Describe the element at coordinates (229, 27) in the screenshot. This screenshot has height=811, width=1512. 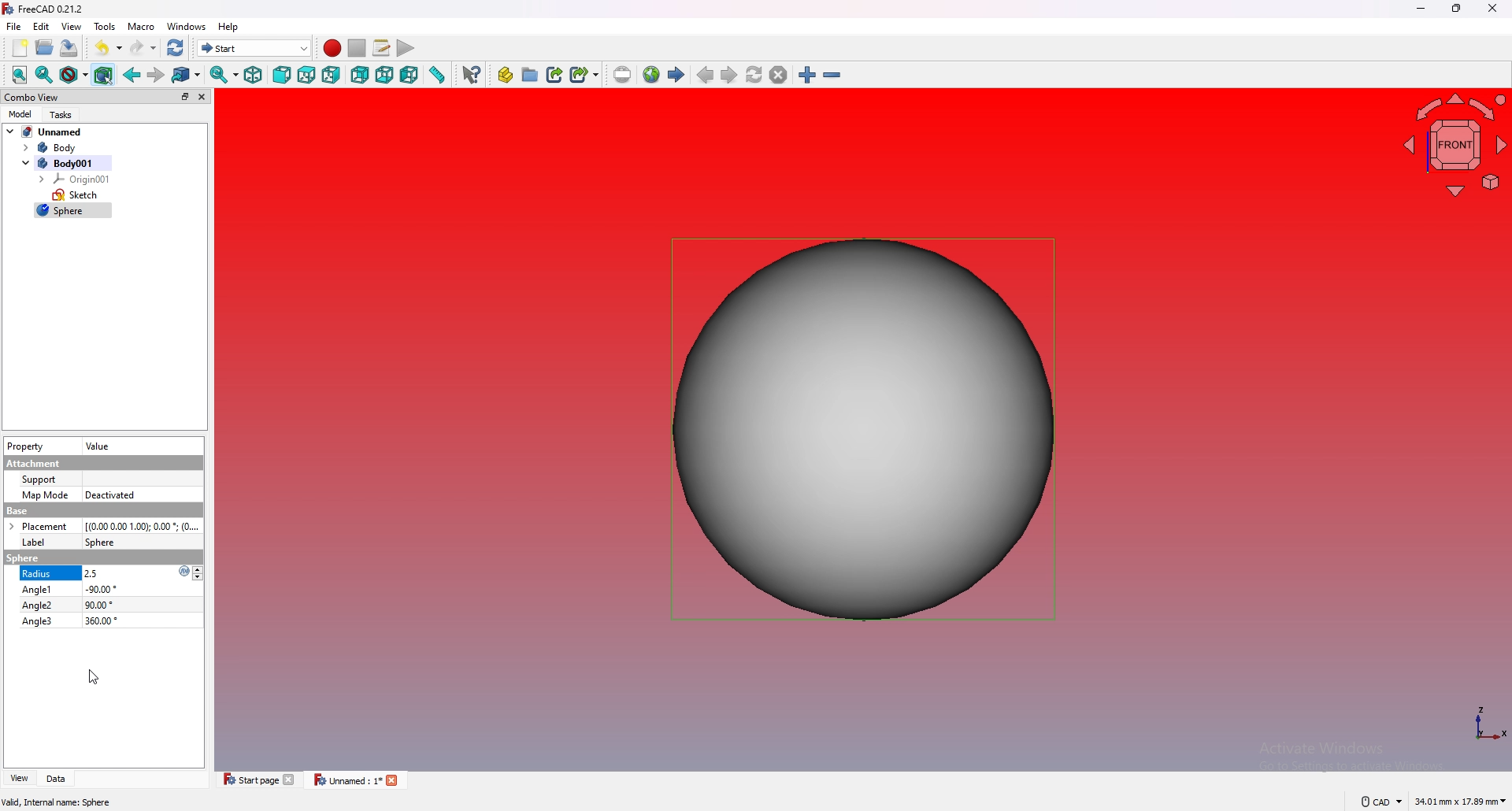
I see `help` at that location.